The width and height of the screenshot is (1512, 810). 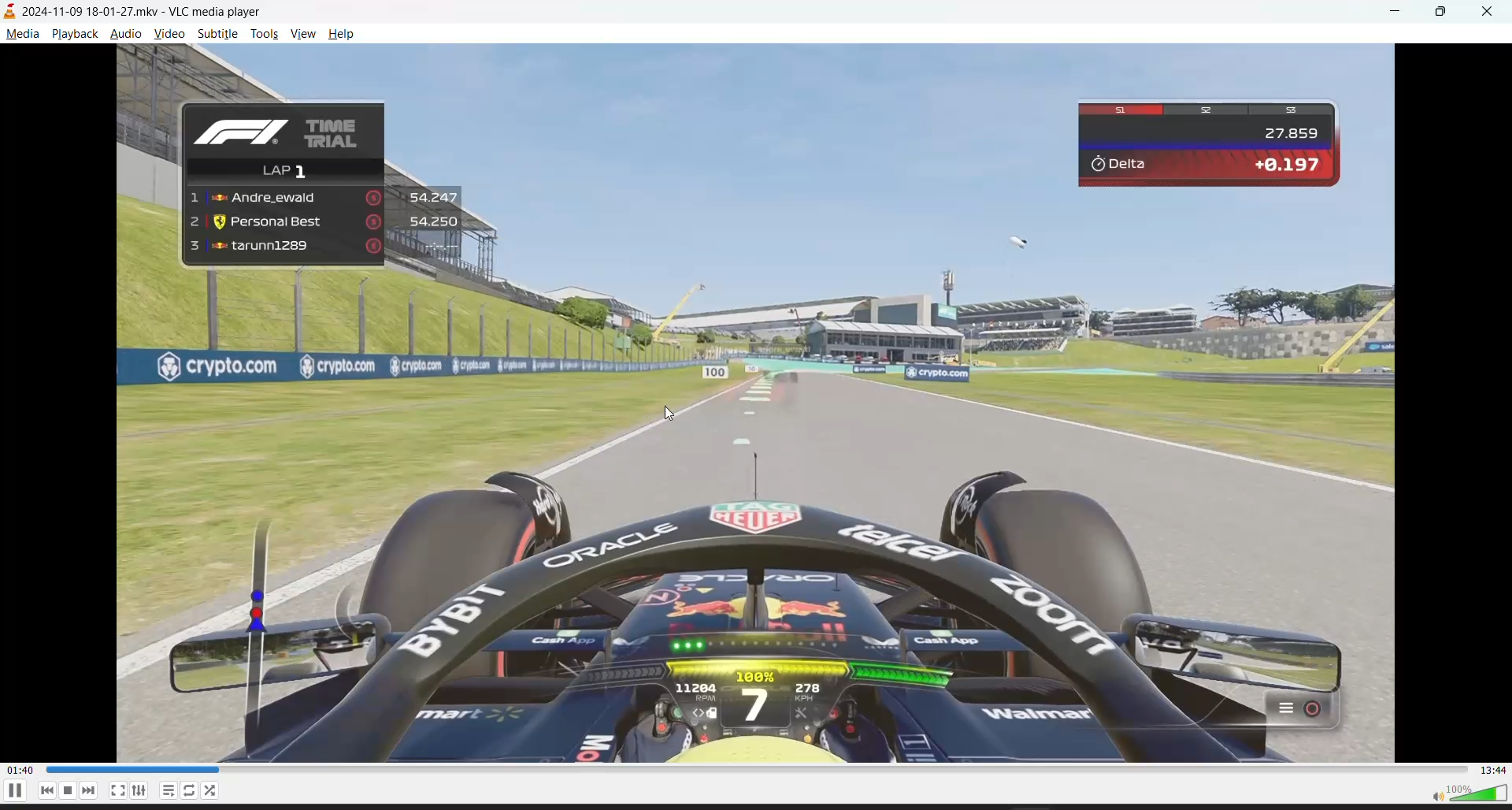 I want to click on video contrast increased, so click(x=758, y=405).